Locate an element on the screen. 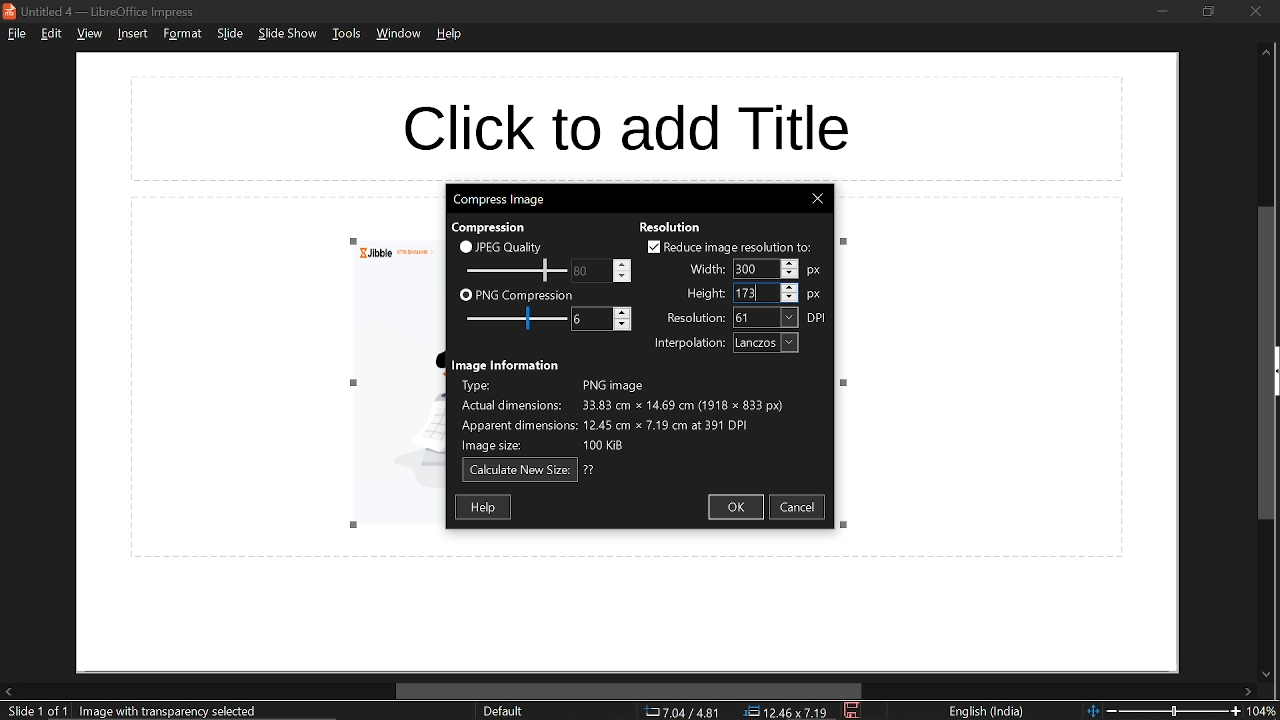 The width and height of the screenshot is (1280, 720). Increase  is located at coordinates (623, 312).